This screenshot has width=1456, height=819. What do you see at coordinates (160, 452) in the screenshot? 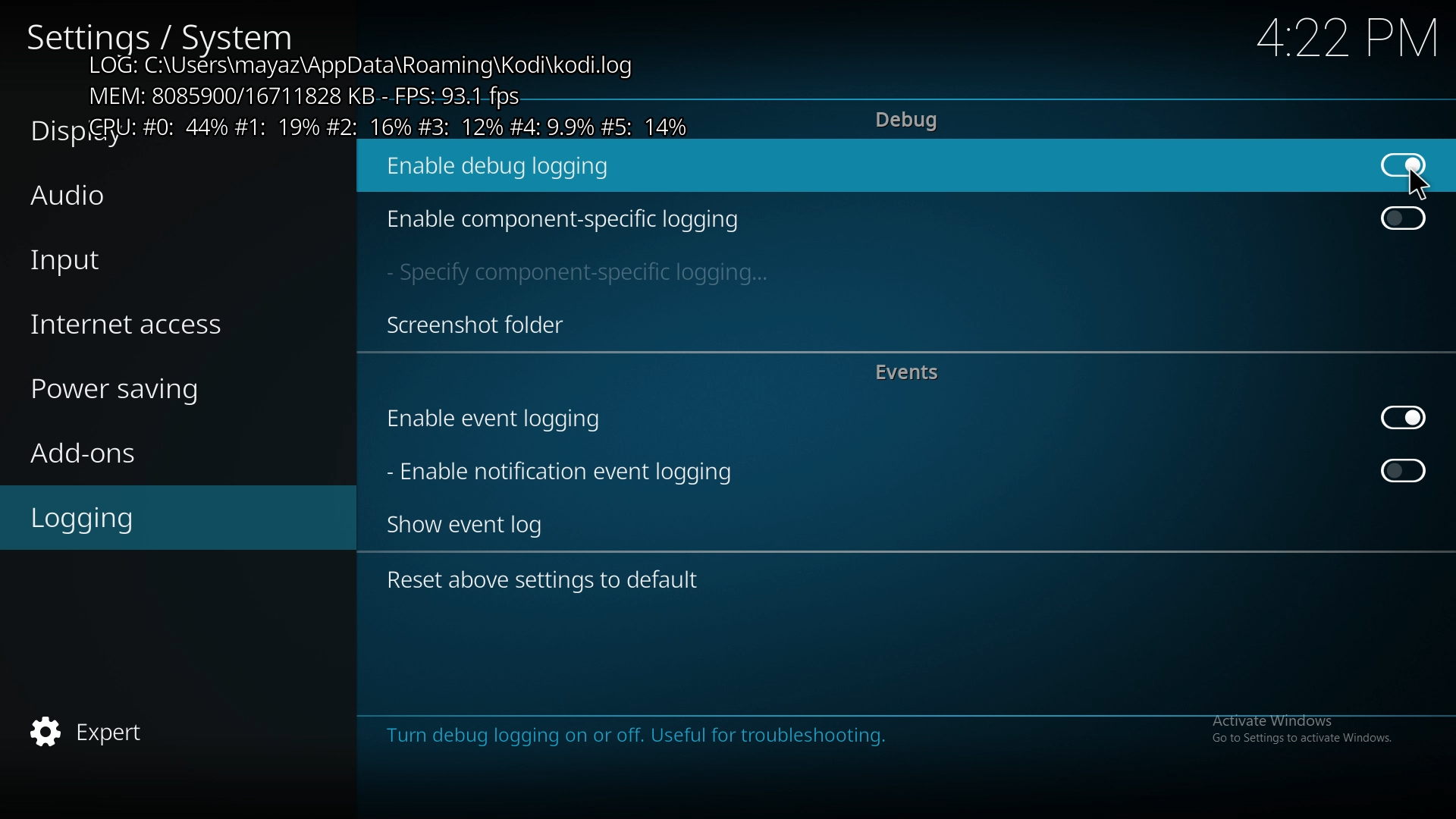
I see `add ons` at bounding box center [160, 452].